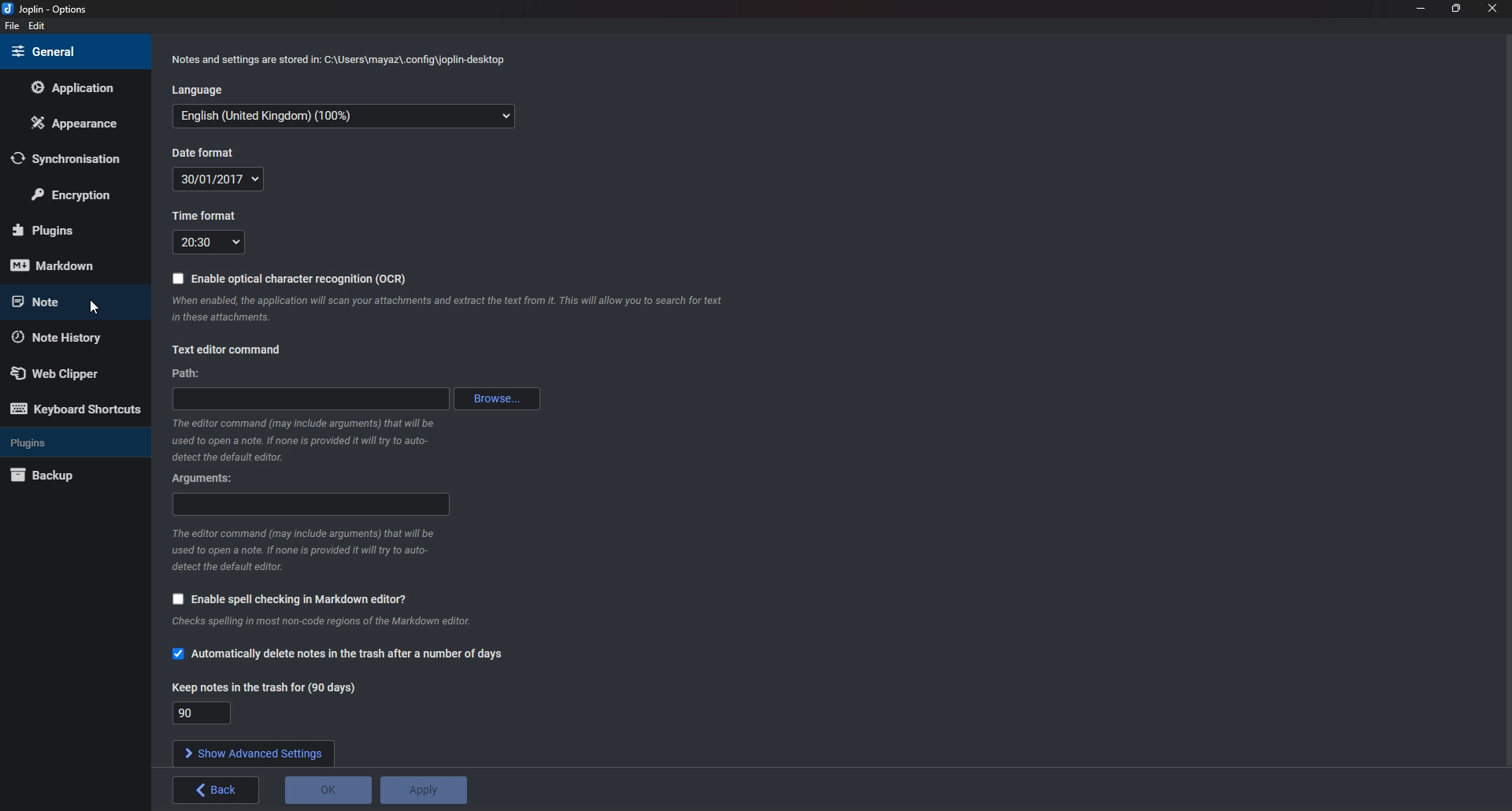 Image resolution: width=1512 pixels, height=811 pixels. What do you see at coordinates (316, 622) in the screenshot?
I see `info` at bounding box center [316, 622].